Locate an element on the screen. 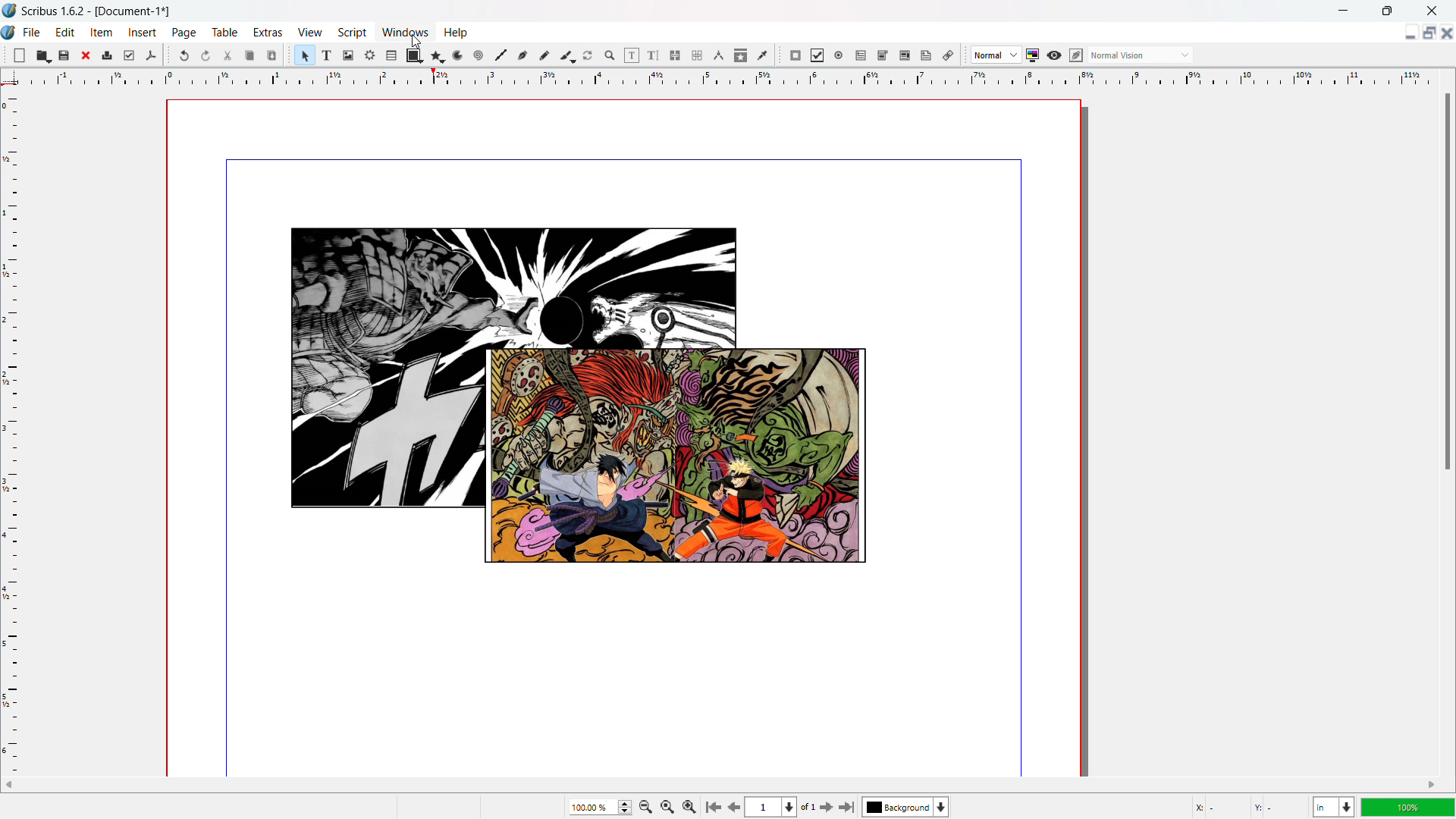  toggle color management system is located at coordinates (1032, 55).